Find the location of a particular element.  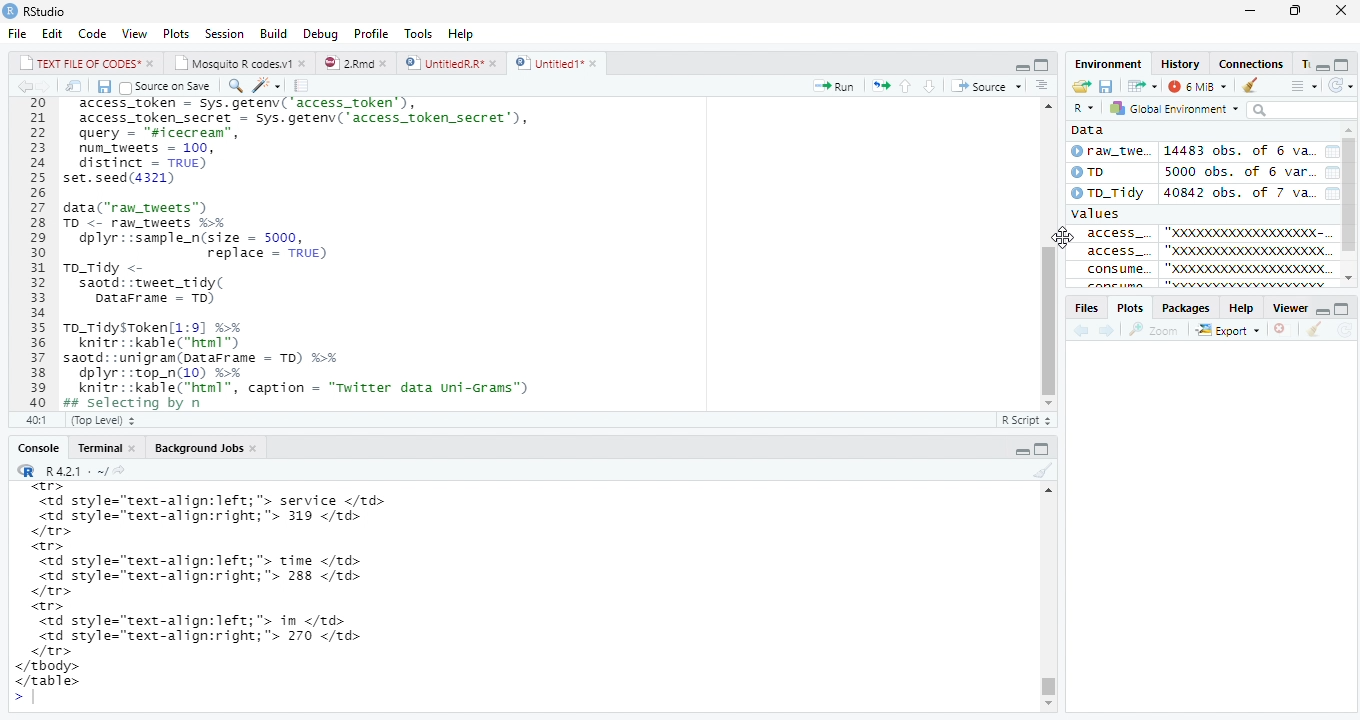

©) Untitied1* is located at coordinates (563, 64).